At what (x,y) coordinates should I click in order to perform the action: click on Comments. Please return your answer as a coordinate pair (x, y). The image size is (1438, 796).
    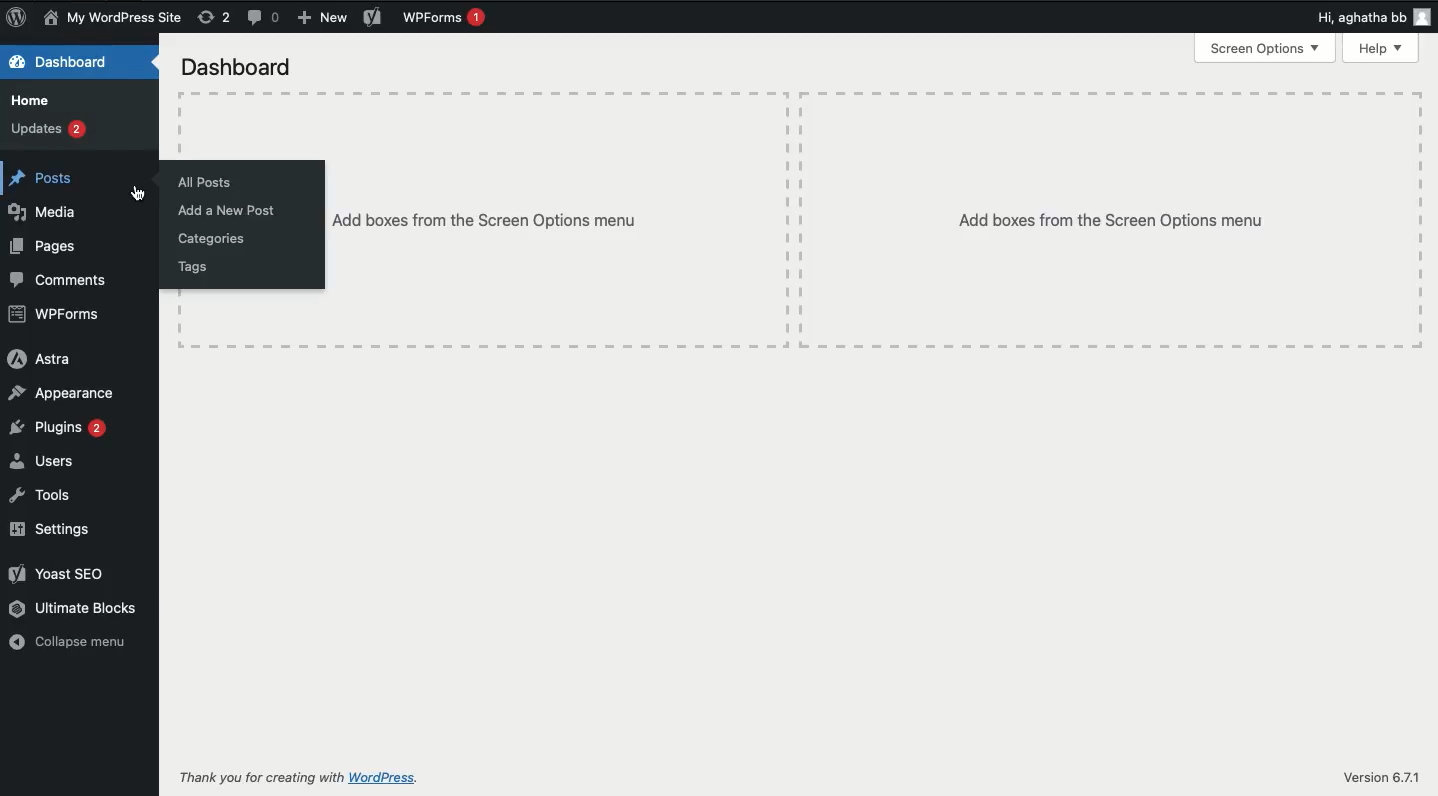
    Looking at the image, I should click on (266, 18).